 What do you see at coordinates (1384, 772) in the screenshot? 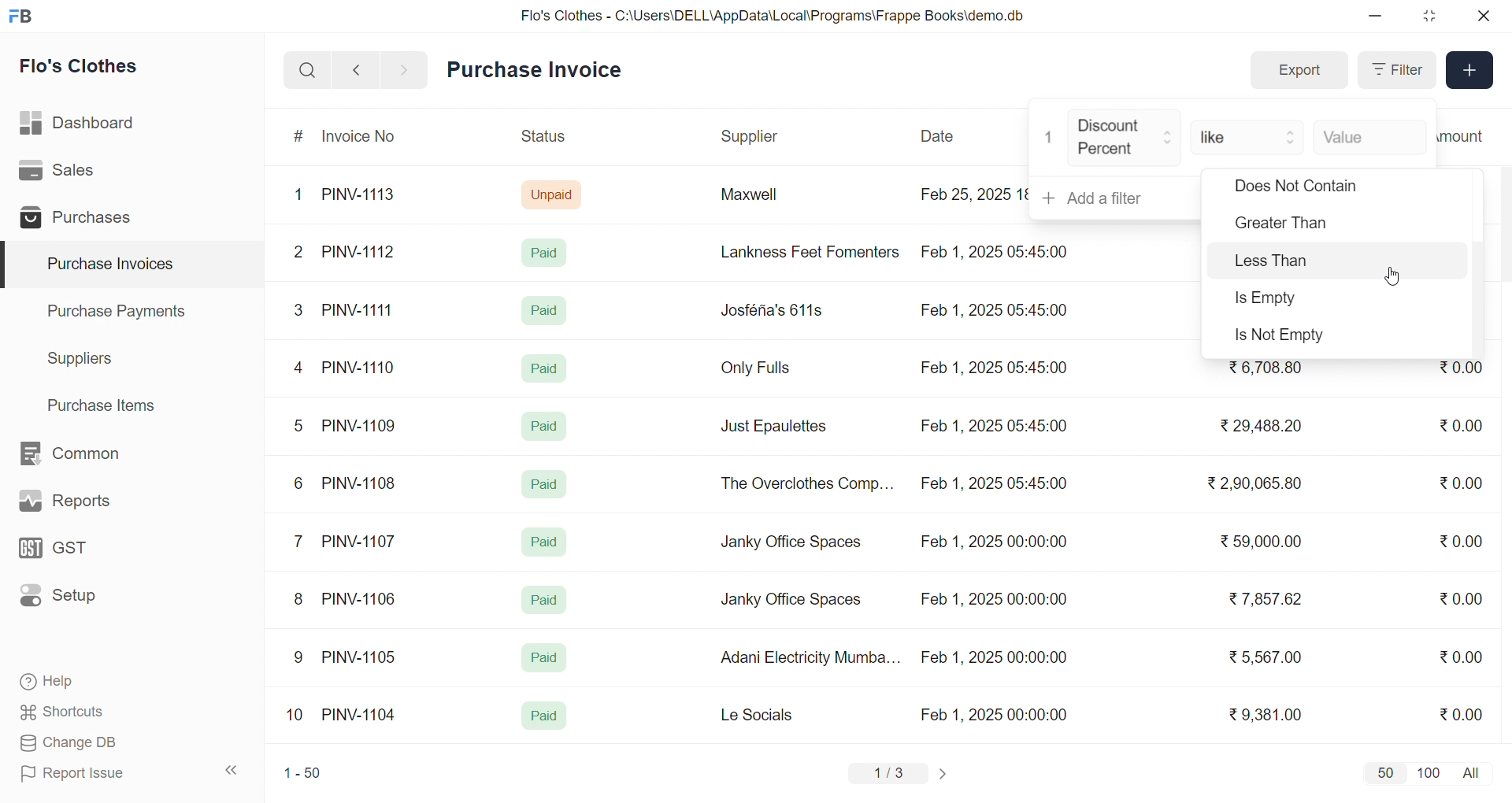
I see `50` at bounding box center [1384, 772].